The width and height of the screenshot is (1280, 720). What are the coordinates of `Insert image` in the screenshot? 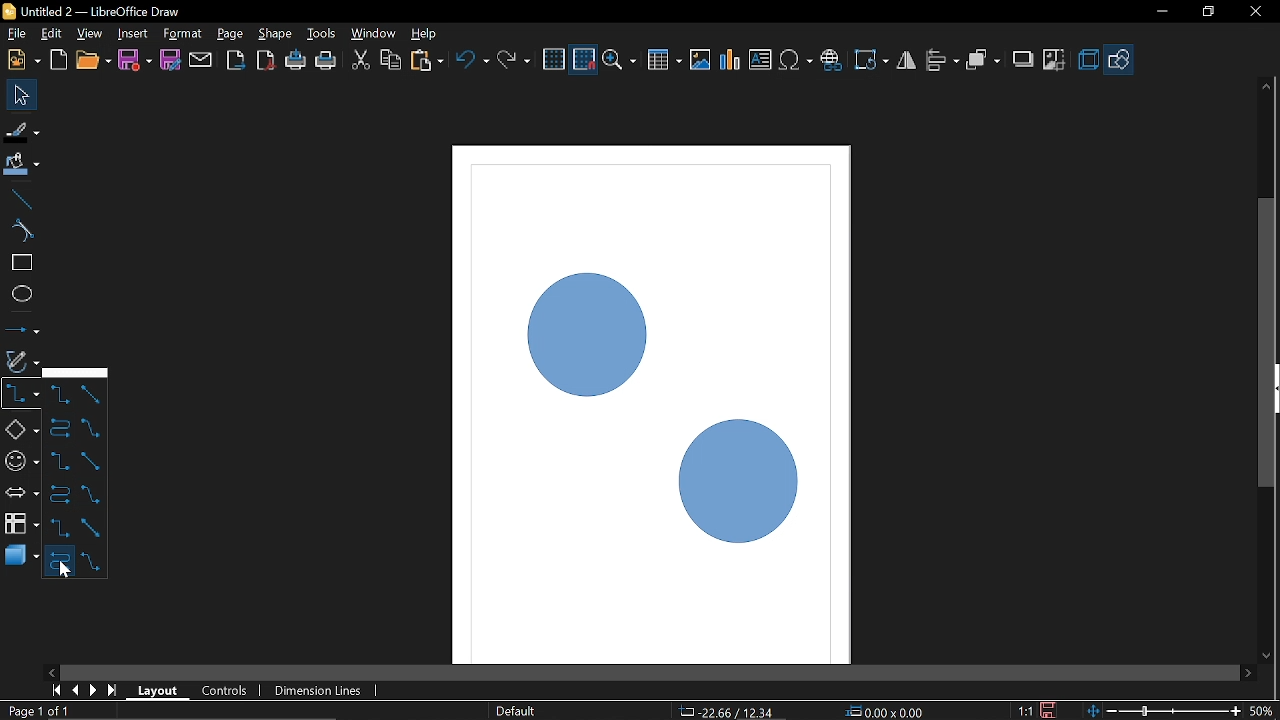 It's located at (700, 60).